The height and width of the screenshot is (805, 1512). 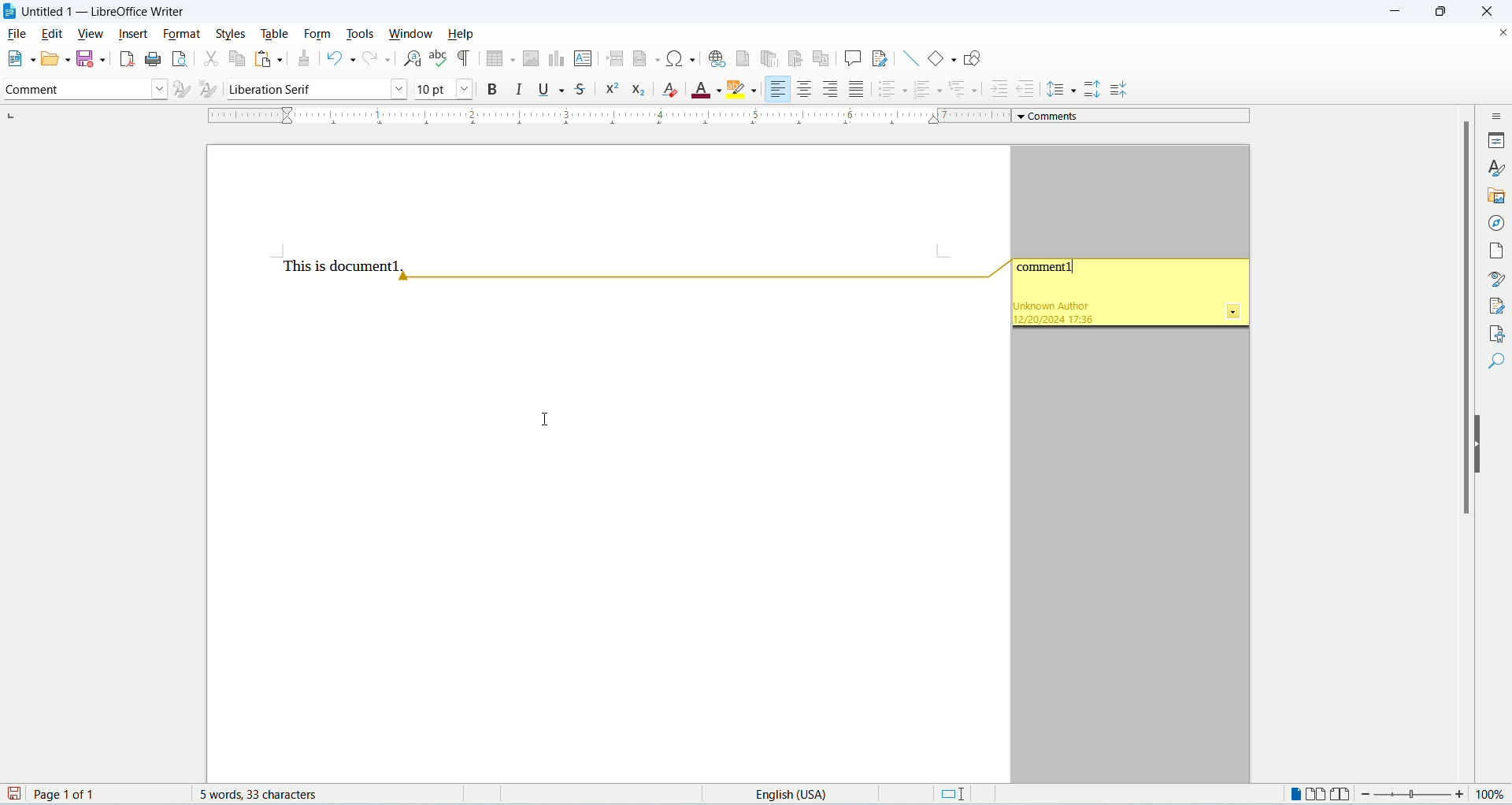 I want to click on page 1 of 1, so click(x=105, y=794).